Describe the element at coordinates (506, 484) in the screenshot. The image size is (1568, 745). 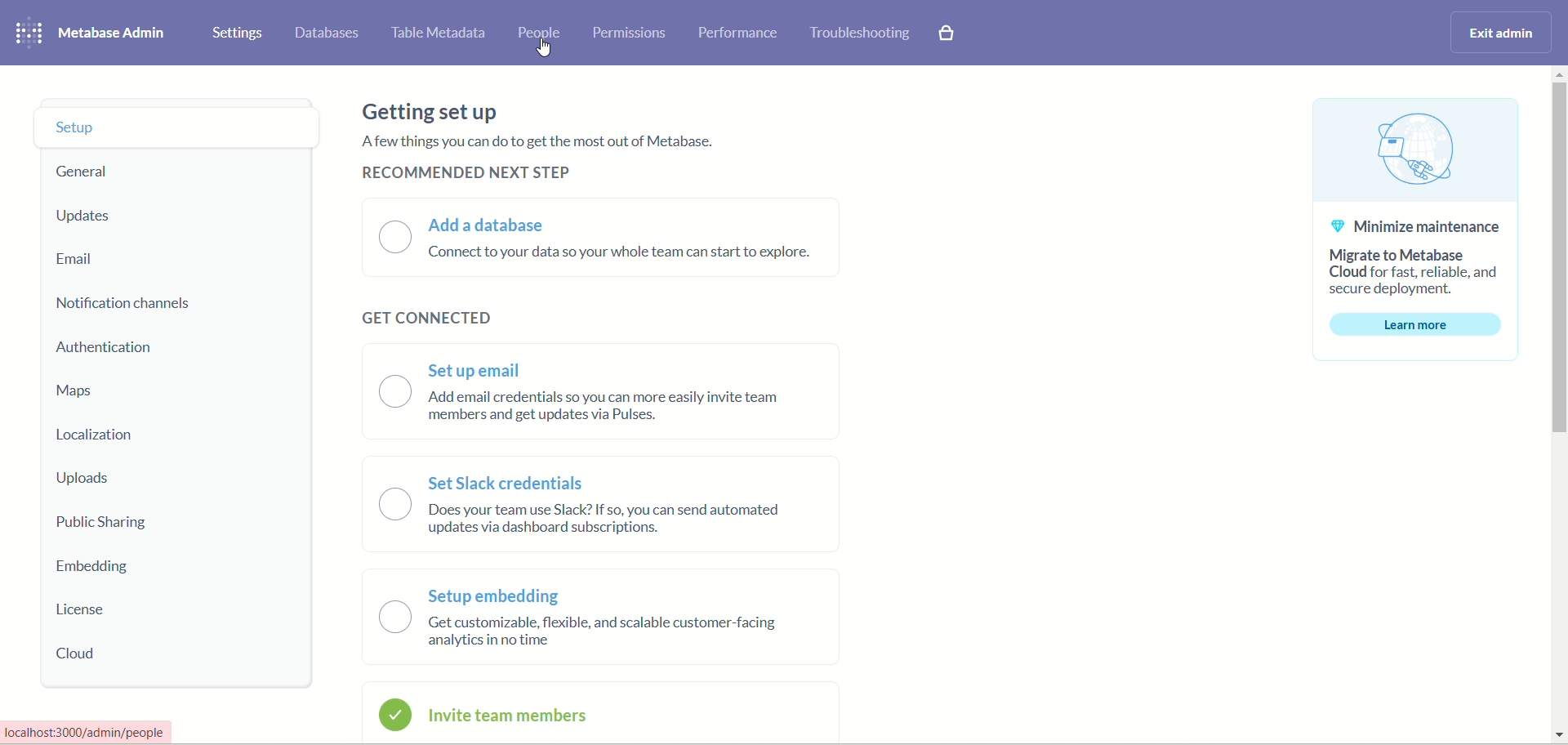
I see `set slack credentials` at that location.